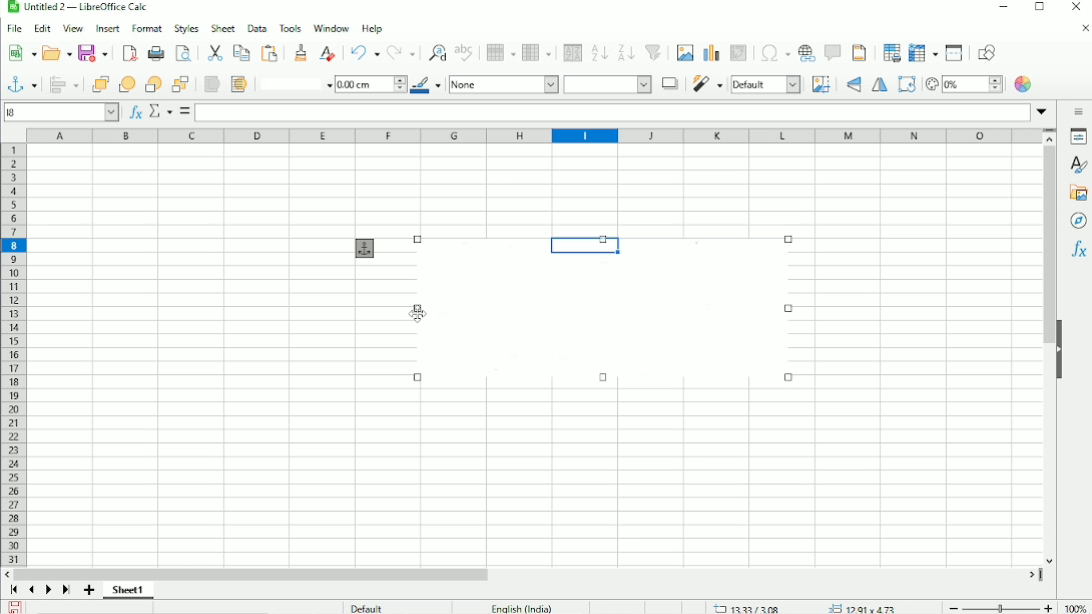 This screenshot has height=614, width=1092. What do you see at coordinates (954, 53) in the screenshot?
I see `Split window` at bounding box center [954, 53].